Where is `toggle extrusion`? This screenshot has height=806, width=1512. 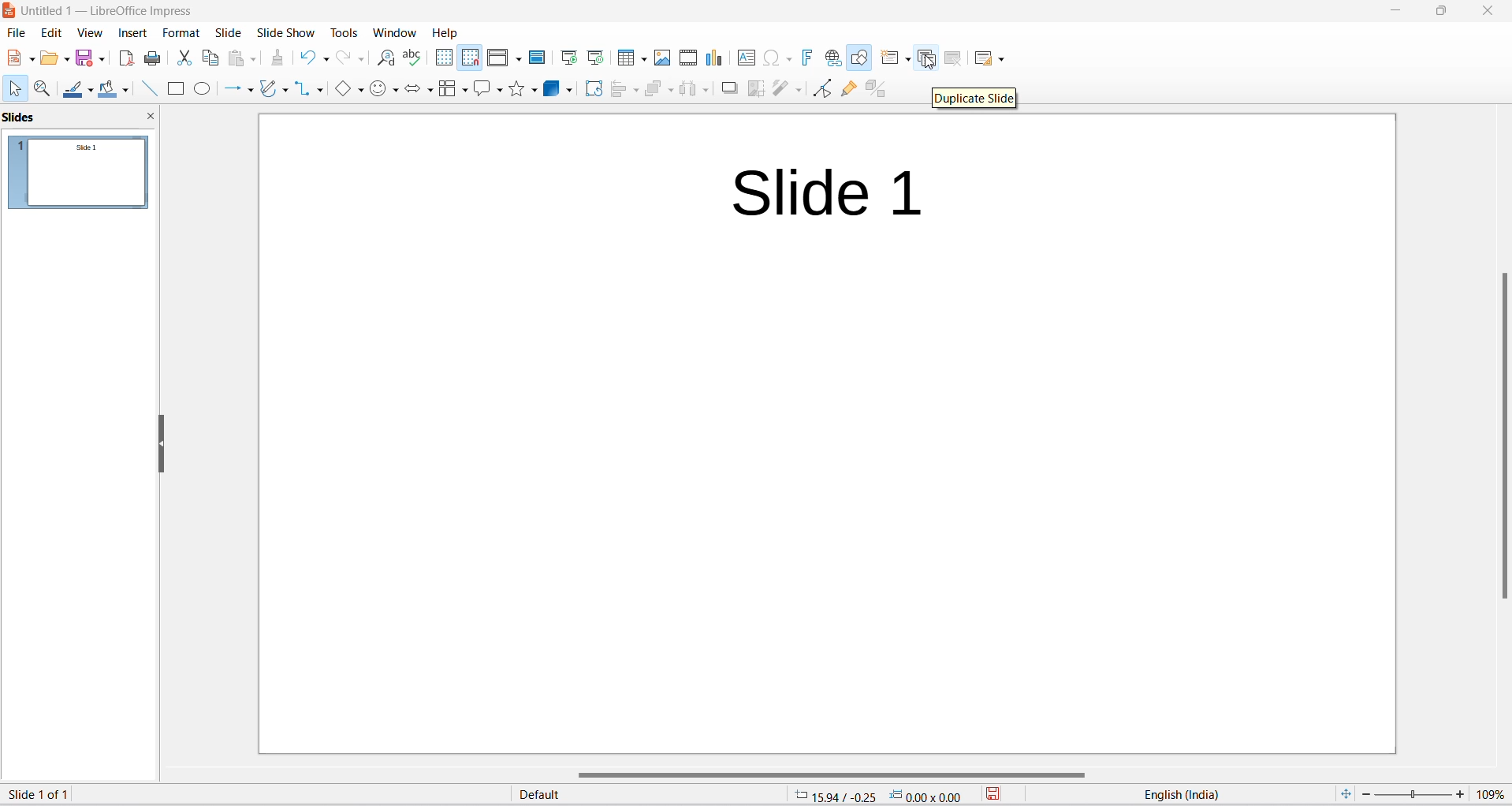 toggle extrusion is located at coordinates (885, 88).